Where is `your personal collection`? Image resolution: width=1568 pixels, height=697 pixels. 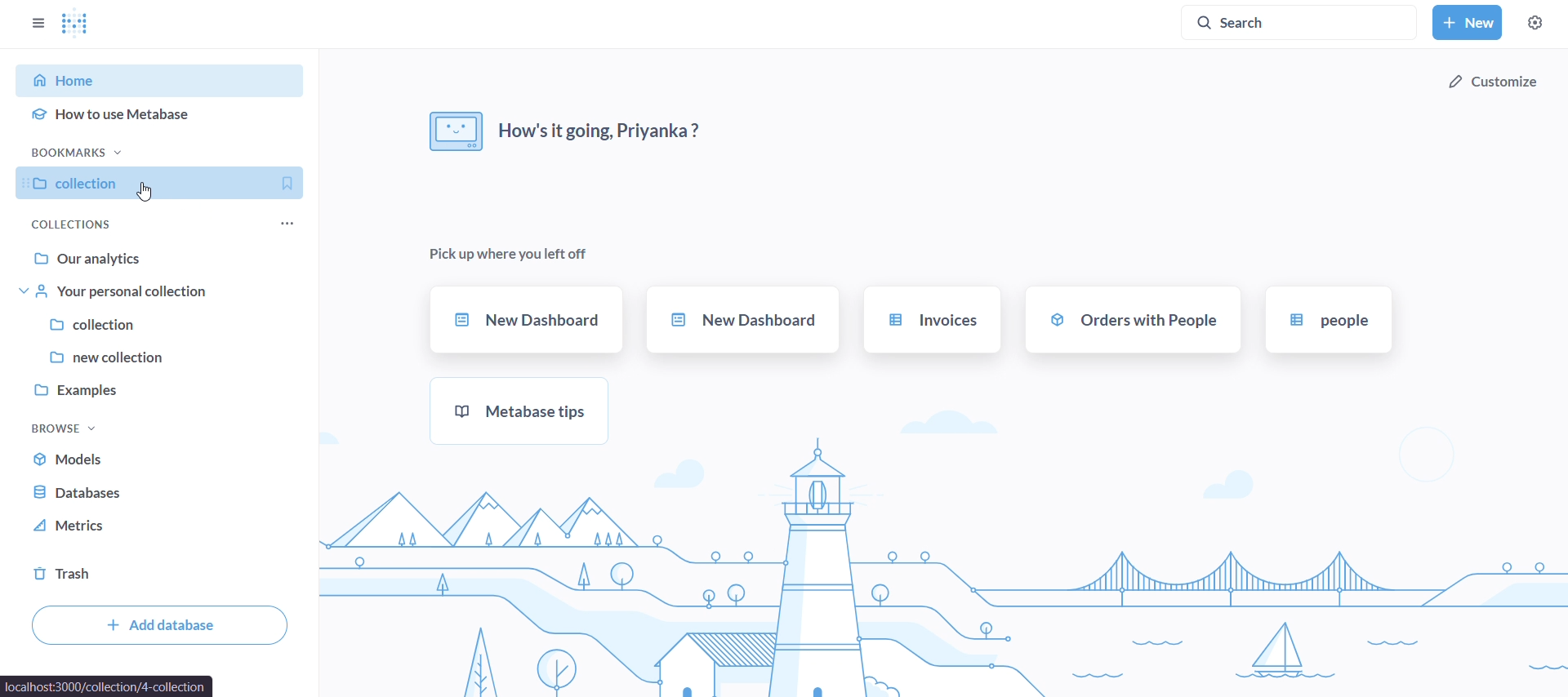
your personal collection is located at coordinates (163, 291).